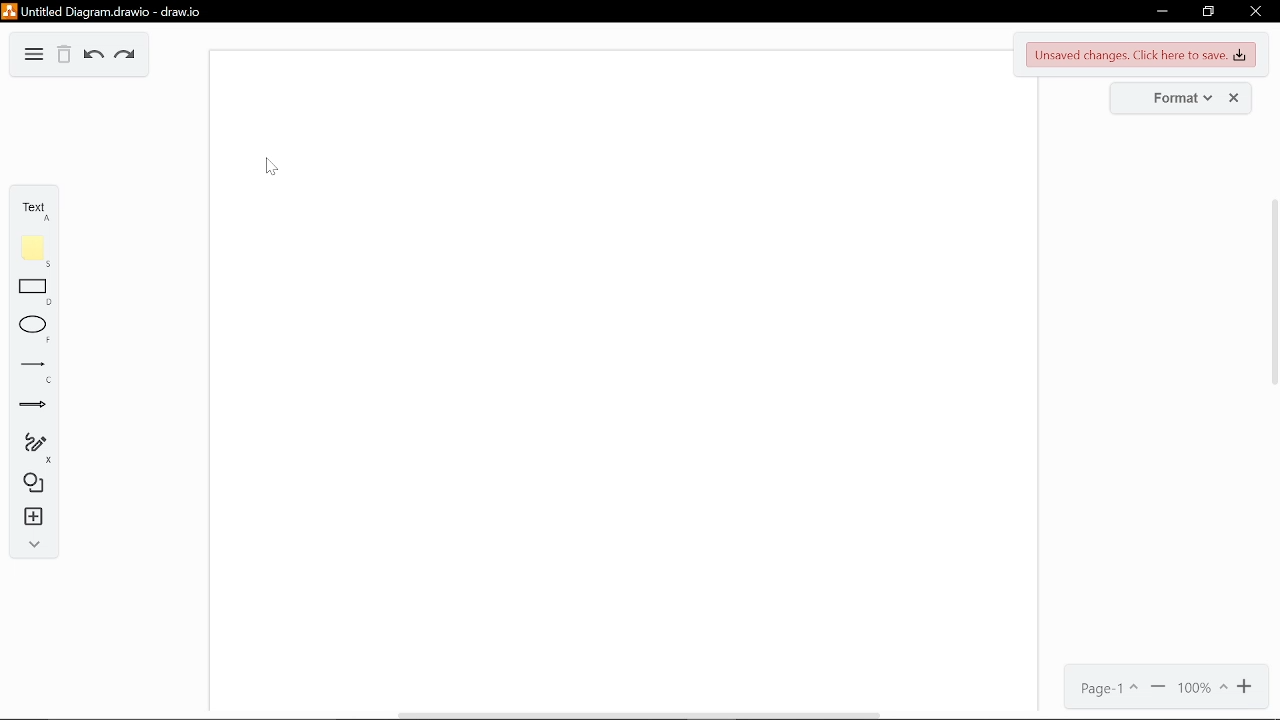 This screenshot has width=1280, height=720. Describe the element at coordinates (34, 55) in the screenshot. I see `More options` at that location.